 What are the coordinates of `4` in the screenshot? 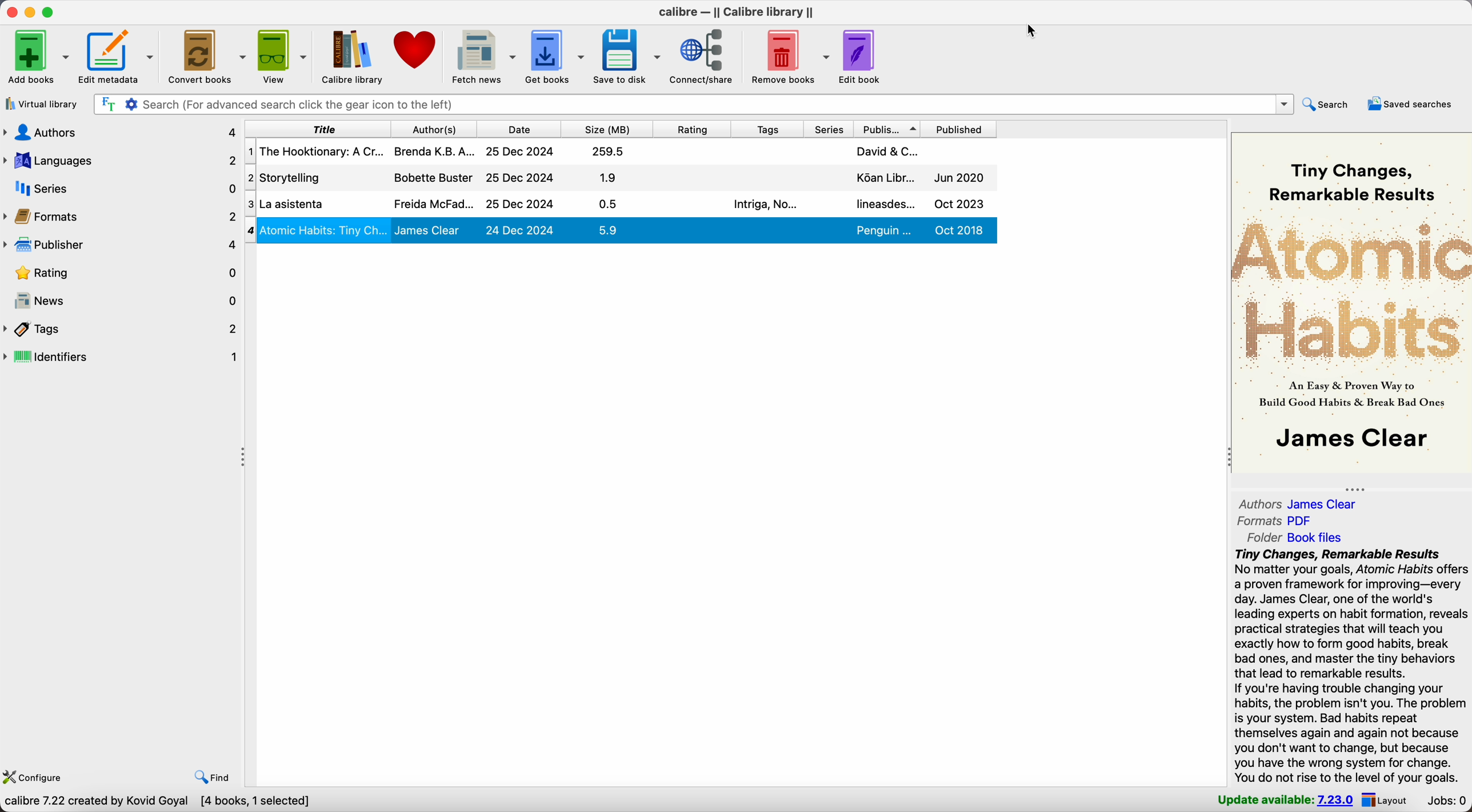 It's located at (251, 230).